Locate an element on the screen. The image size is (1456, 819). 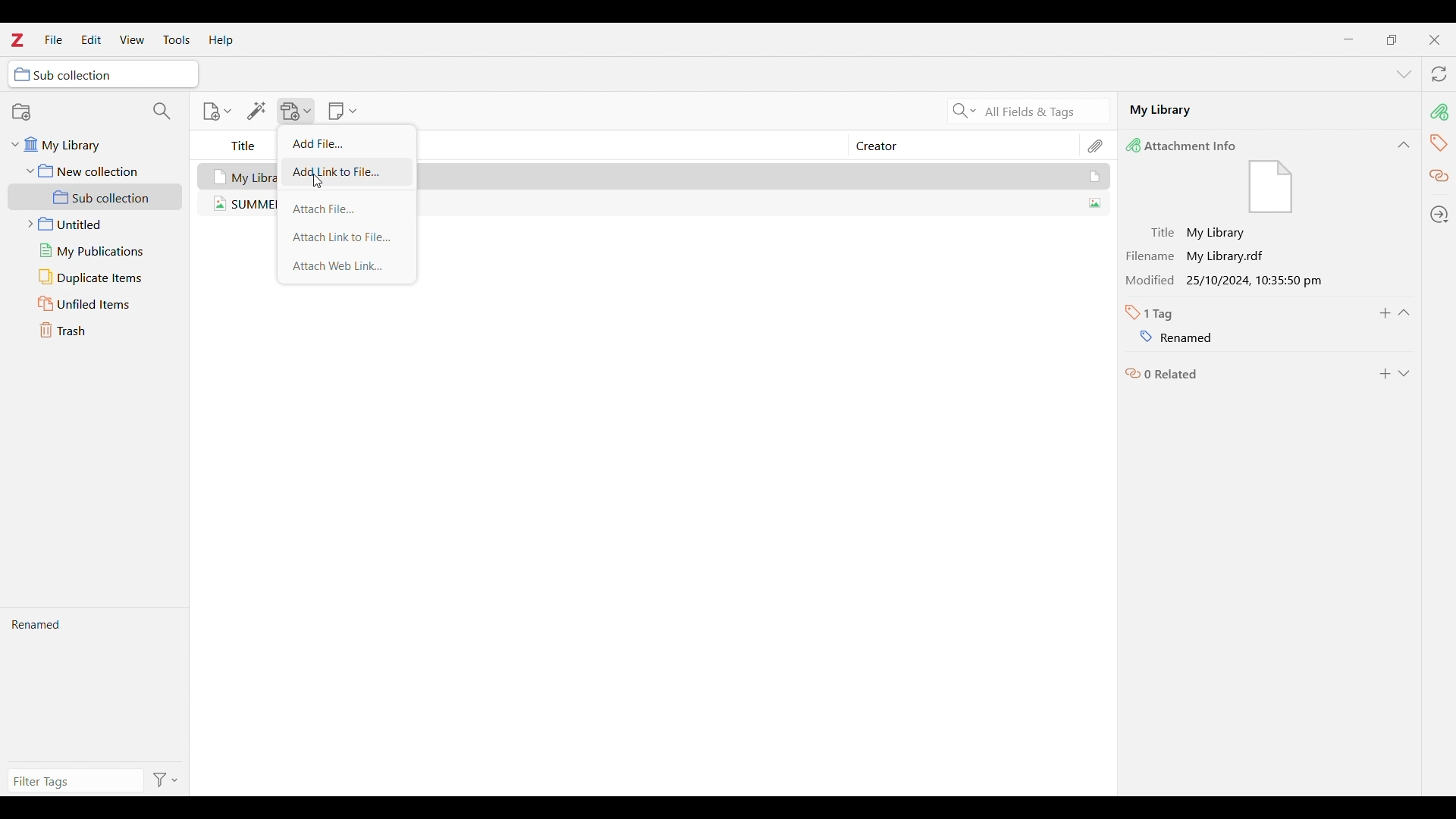
Sync with zotero.org is located at coordinates (1439, 74).